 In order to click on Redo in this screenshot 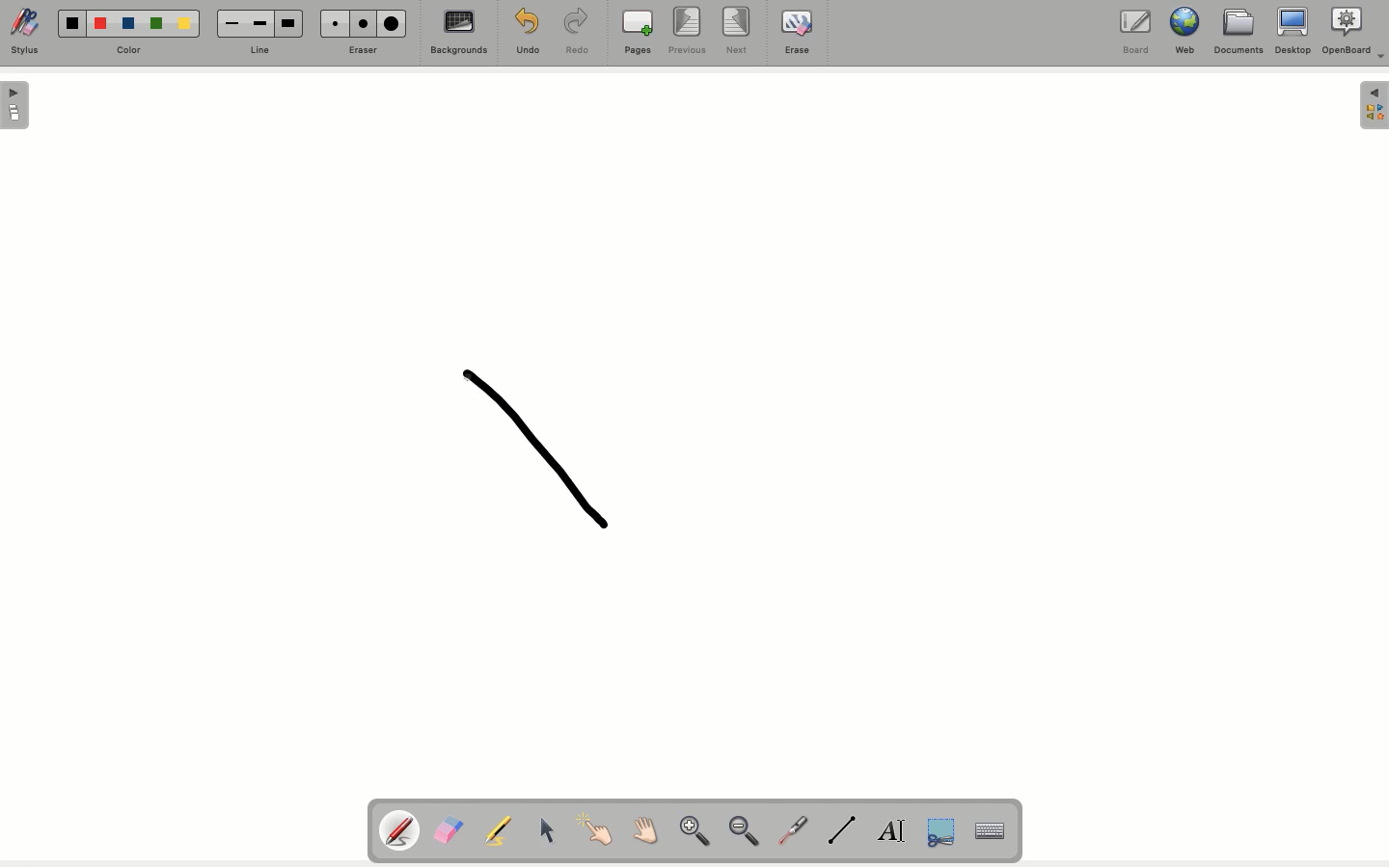, I will do `click(579, 34)`.